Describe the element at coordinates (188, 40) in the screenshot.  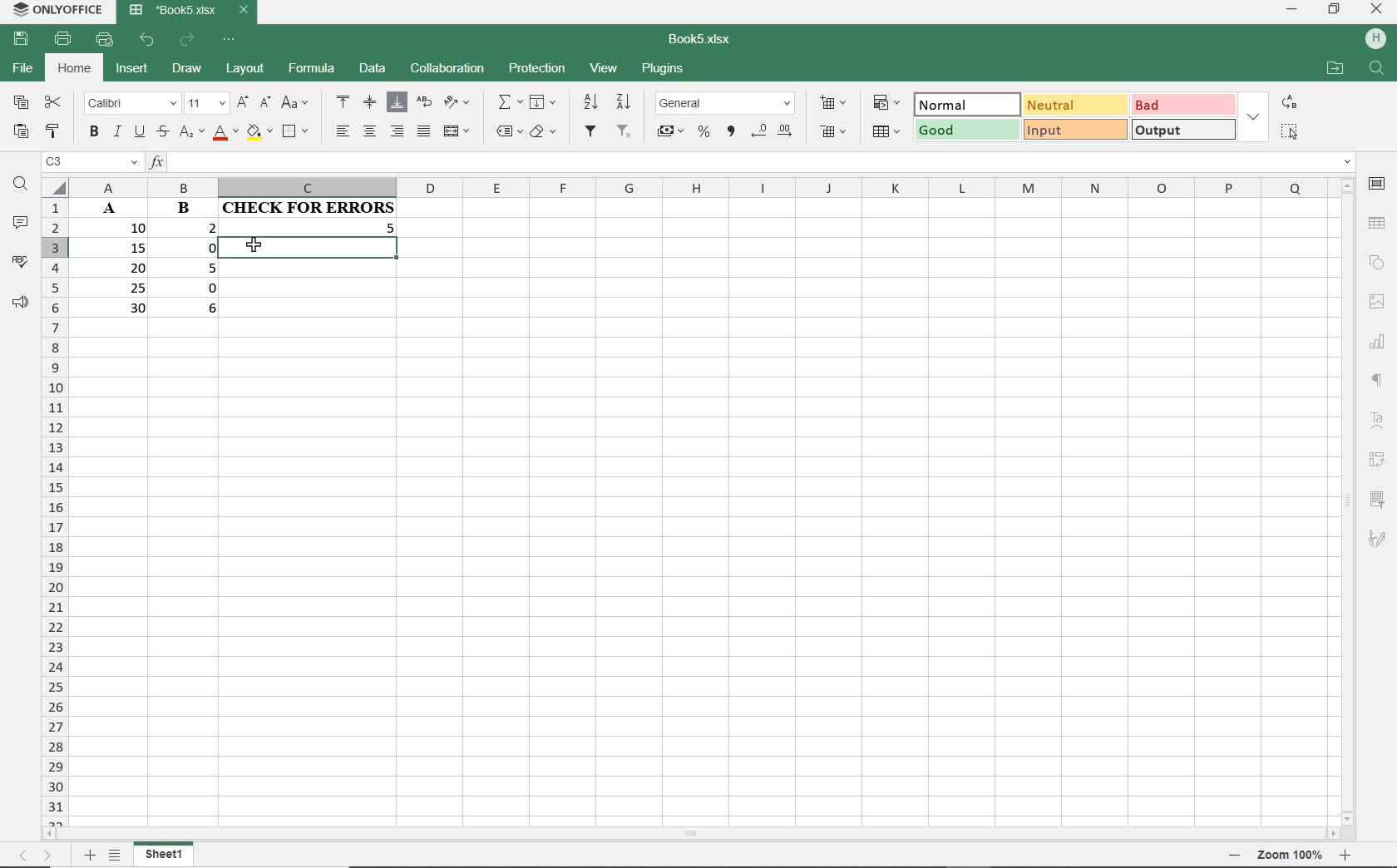
I see `REDO` at that location.